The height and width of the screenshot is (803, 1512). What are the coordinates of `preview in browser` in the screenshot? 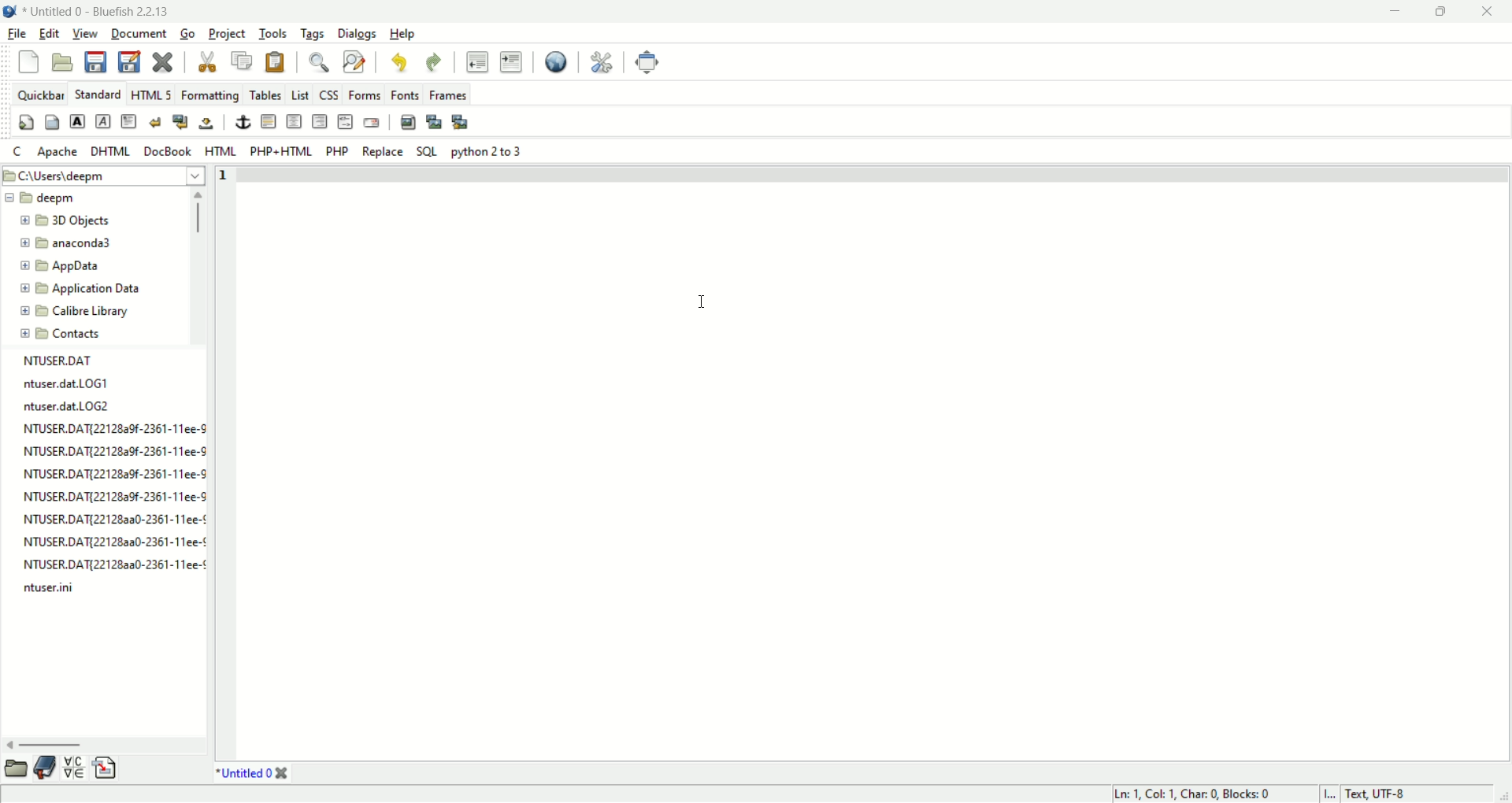 It's located at (557, 61).